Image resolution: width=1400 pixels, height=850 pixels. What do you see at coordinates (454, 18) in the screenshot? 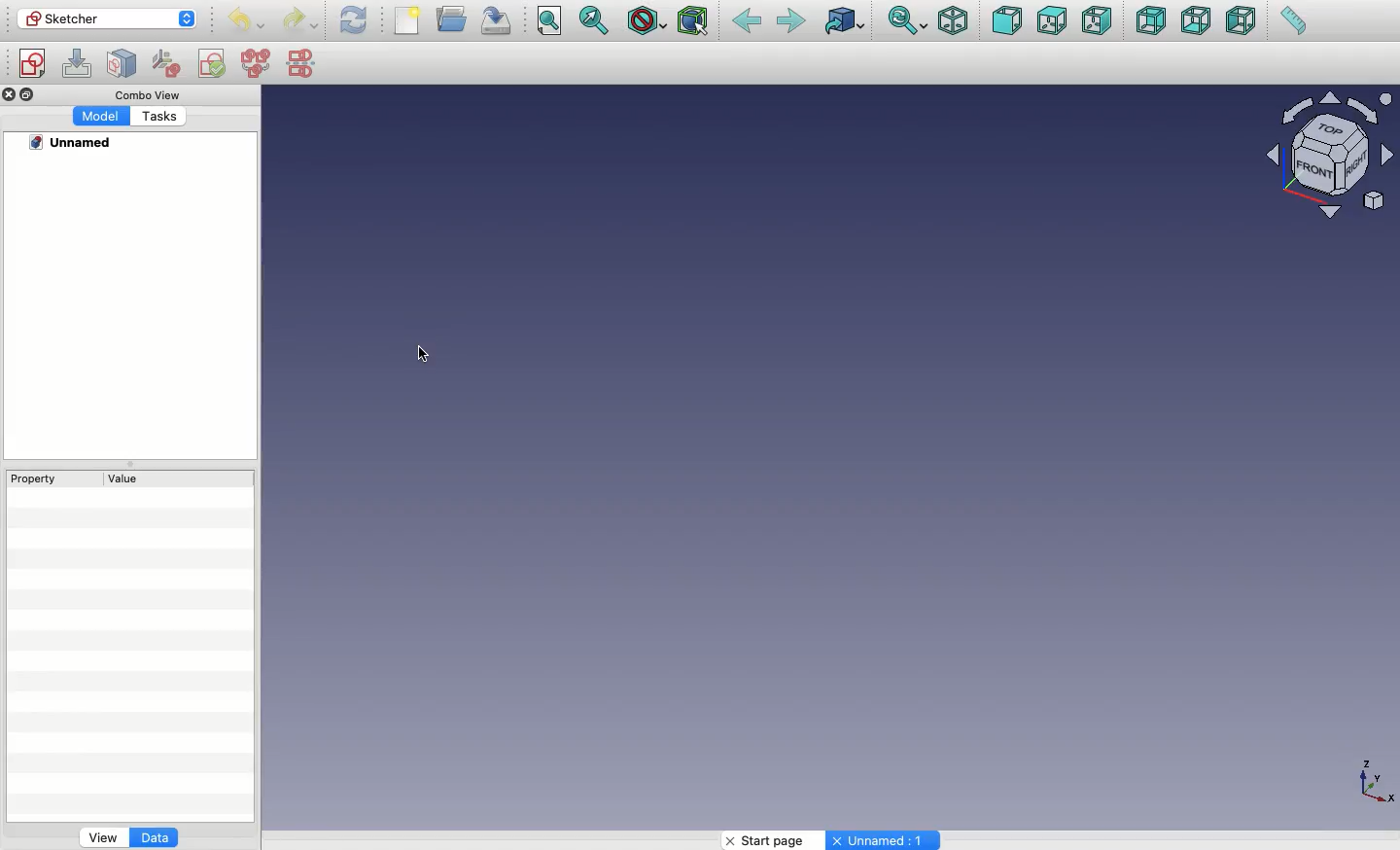
I see `Open` at bounding box center [454, 18].